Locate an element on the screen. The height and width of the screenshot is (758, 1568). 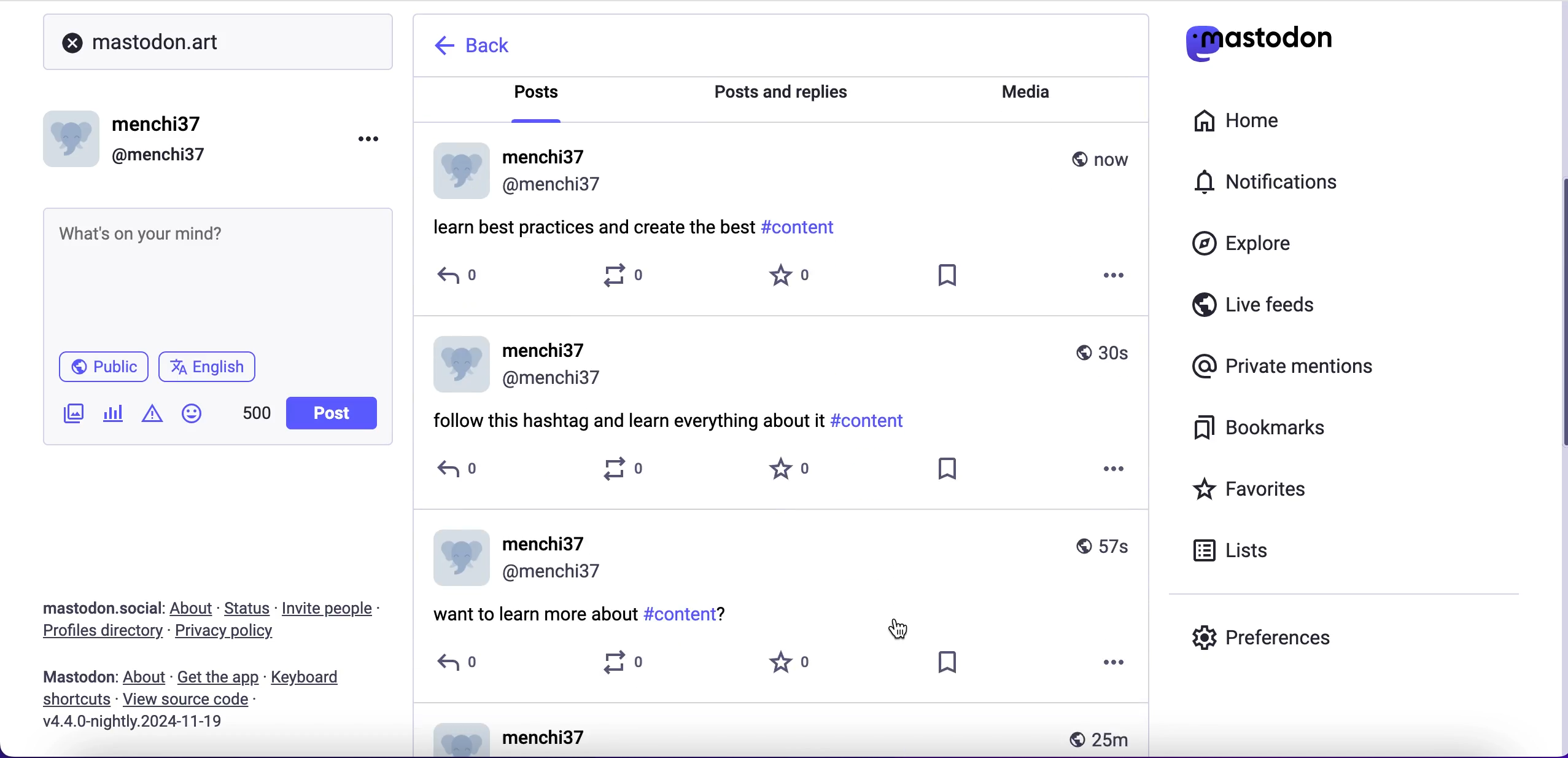
user is located at coordinates (549, 363).